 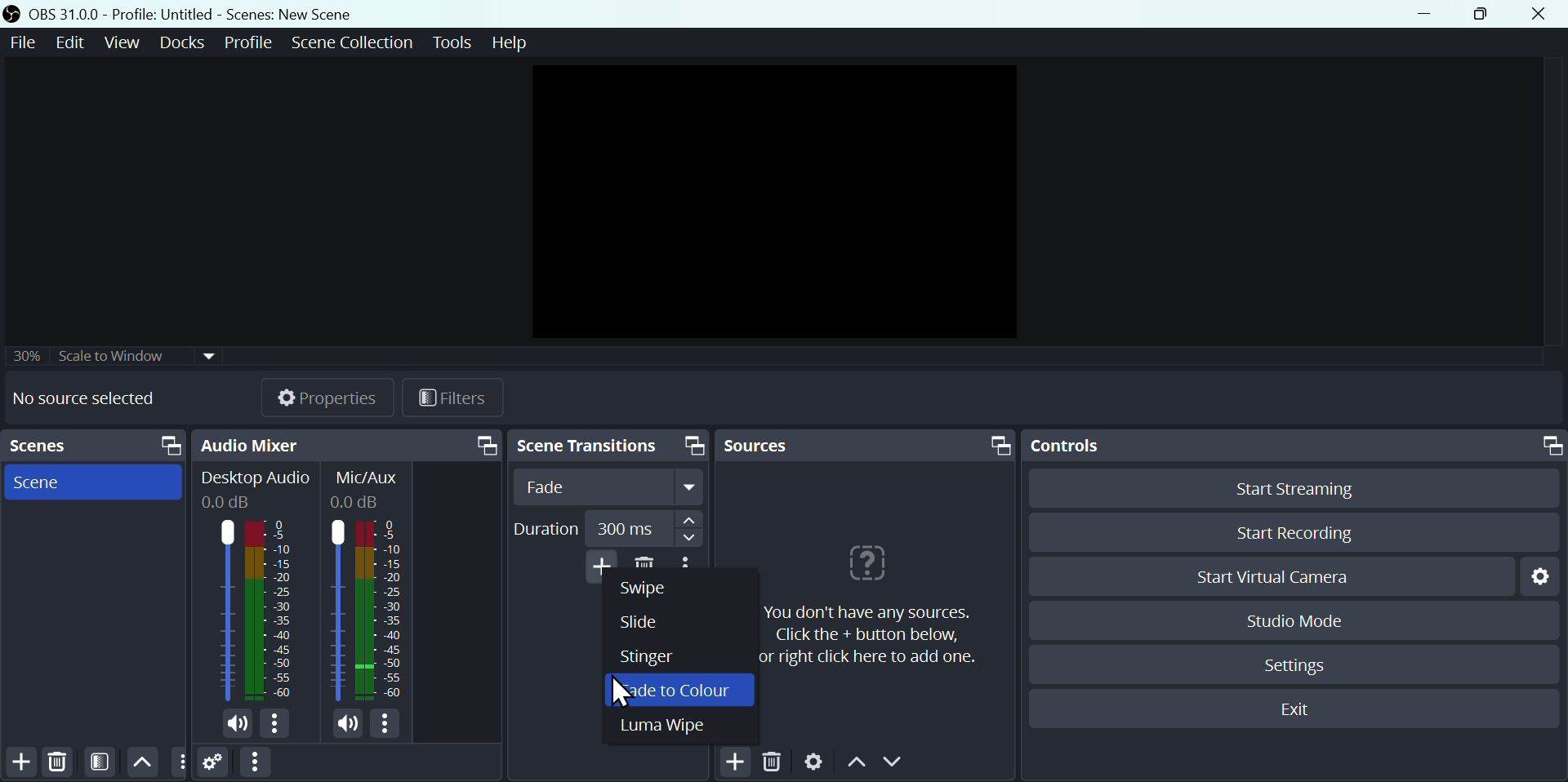 What do you see at coordinates (608, 489) in the screenshot?
I see `fade` at bounding box center [608, 489].